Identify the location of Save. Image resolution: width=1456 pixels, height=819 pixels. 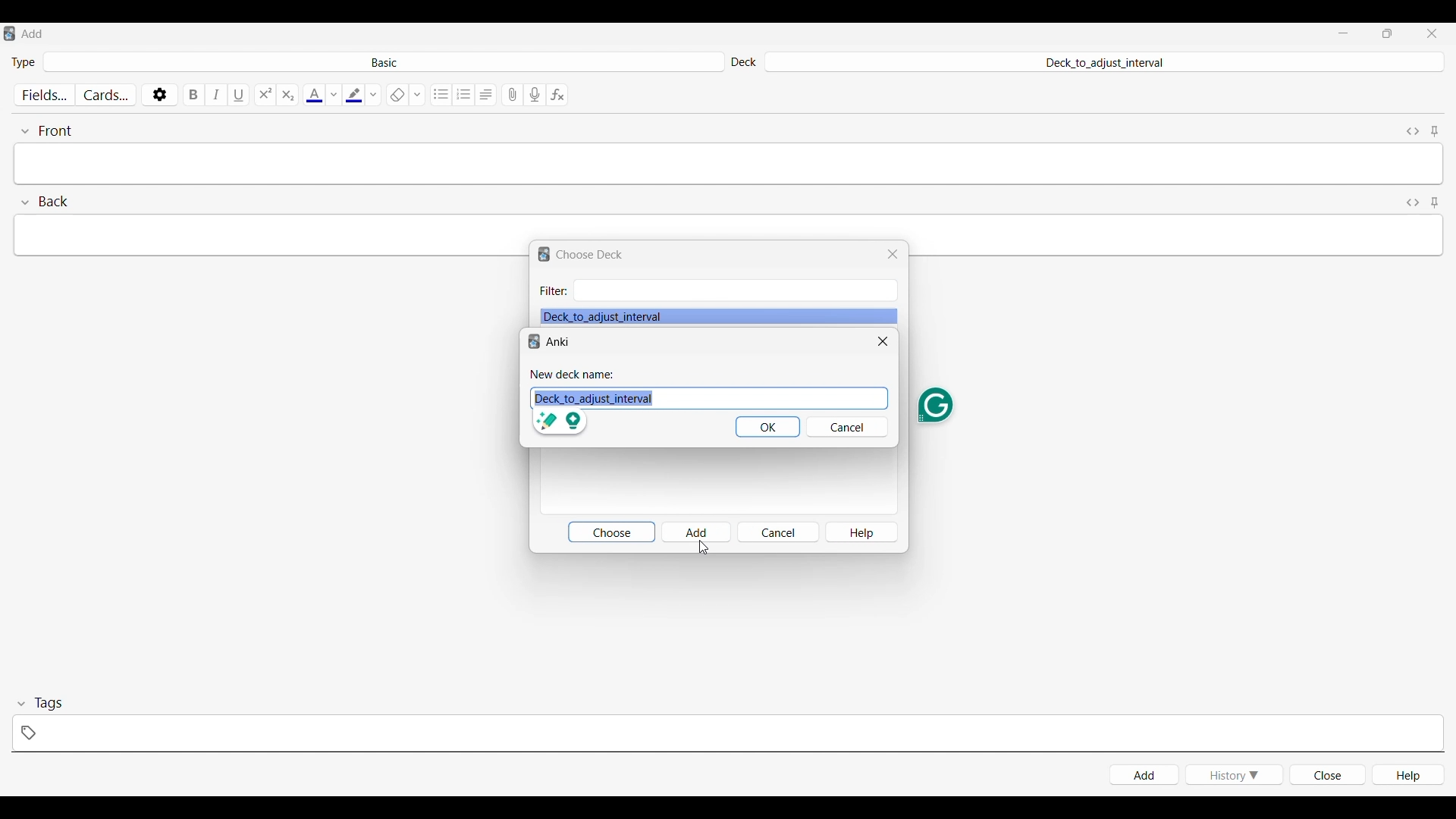
(767, 427).